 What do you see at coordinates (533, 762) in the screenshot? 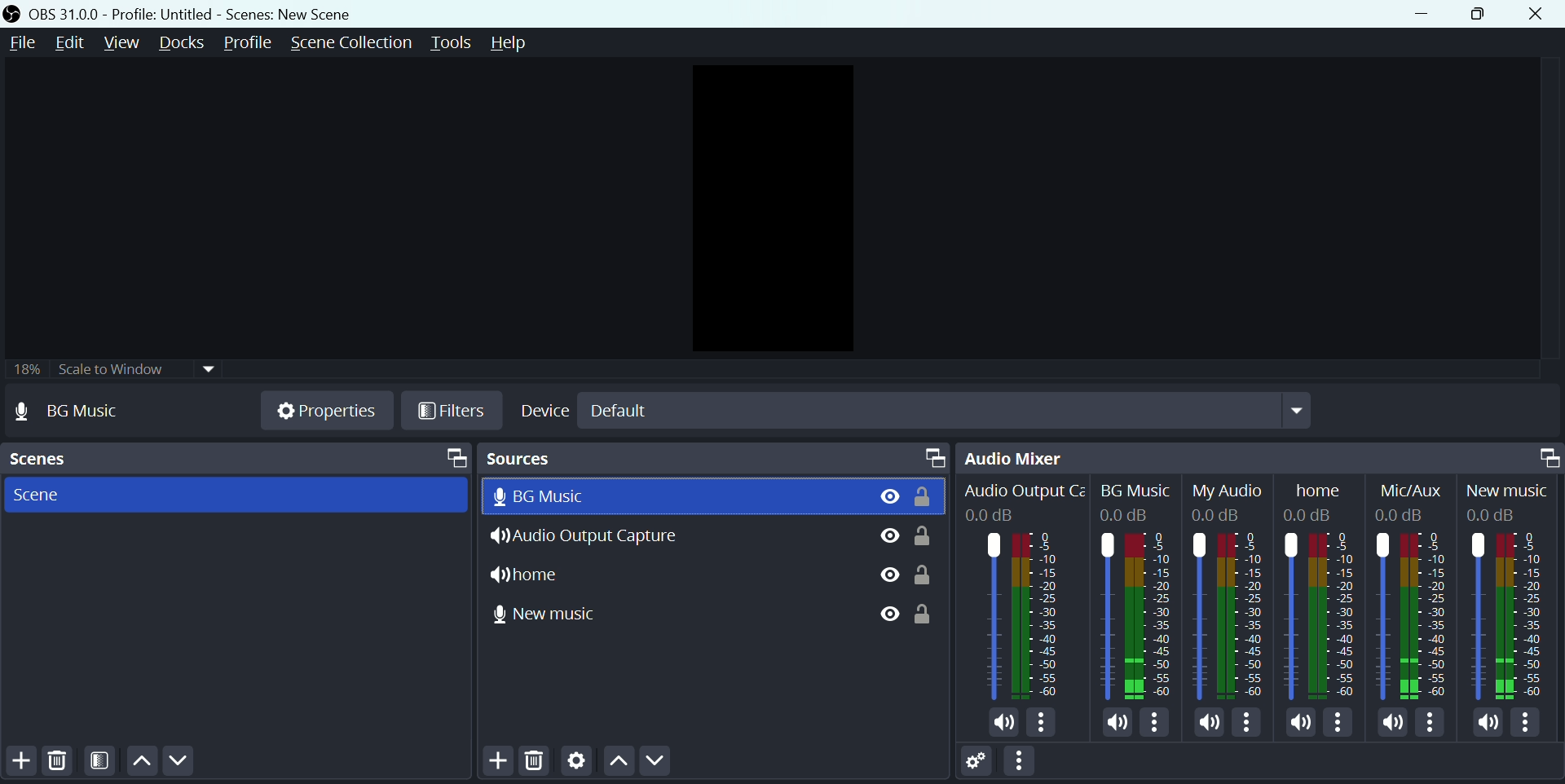
I see `Delete` at bounding box center [533, 762].